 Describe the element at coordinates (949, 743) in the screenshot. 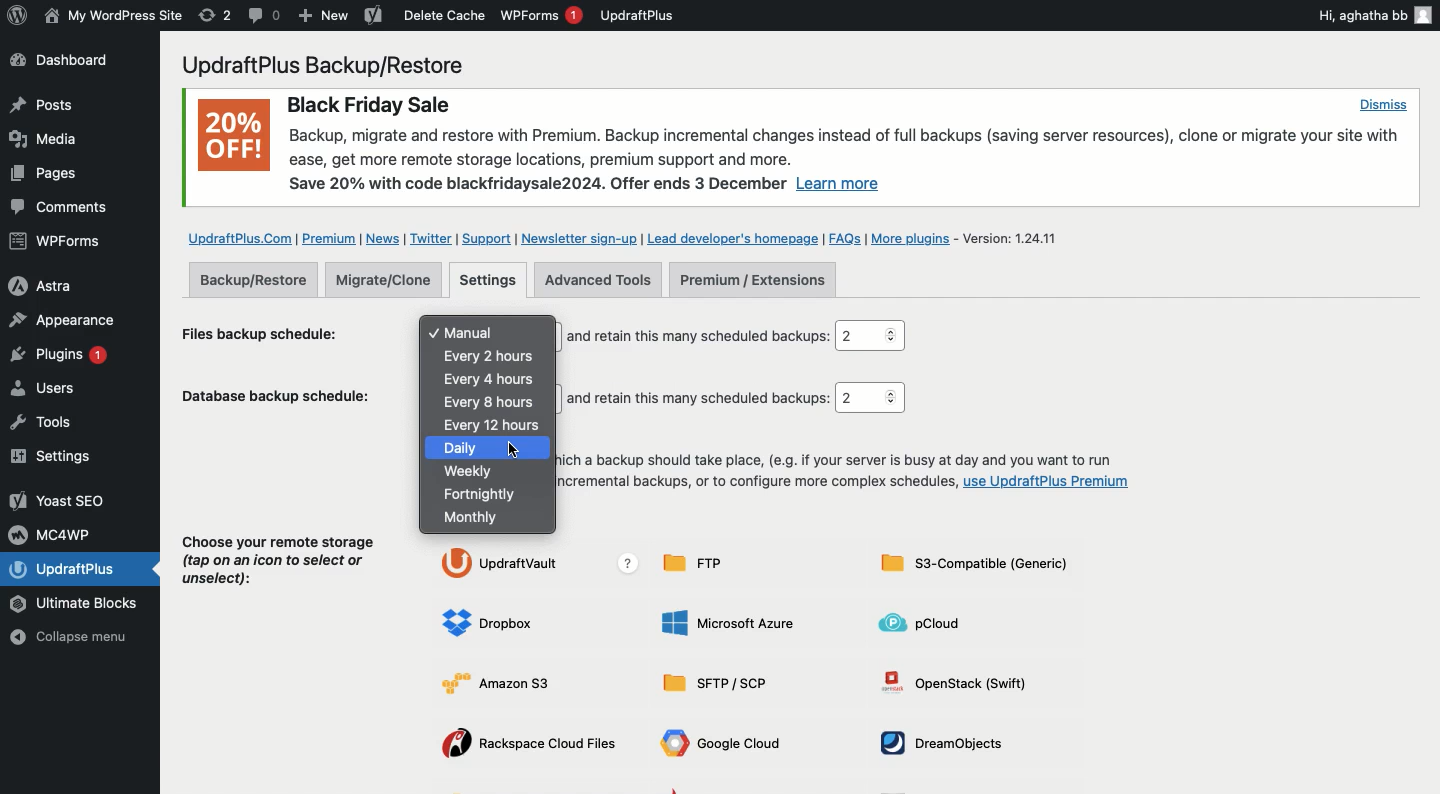

I see `DreamObjects` at that location.